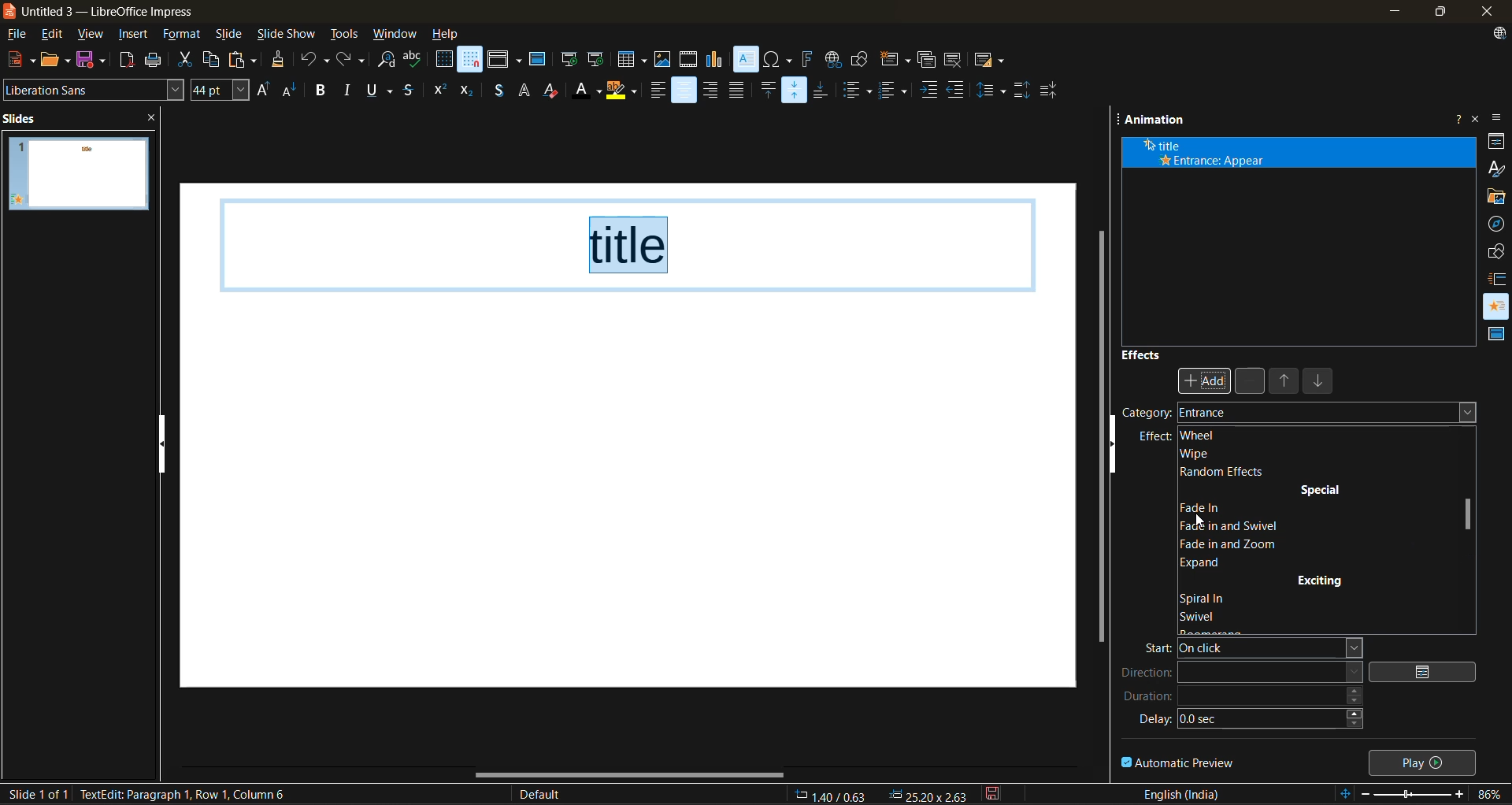 The width and height of the screenshot is (1512, 805). I want to click on swivel, so click(1206, 618).